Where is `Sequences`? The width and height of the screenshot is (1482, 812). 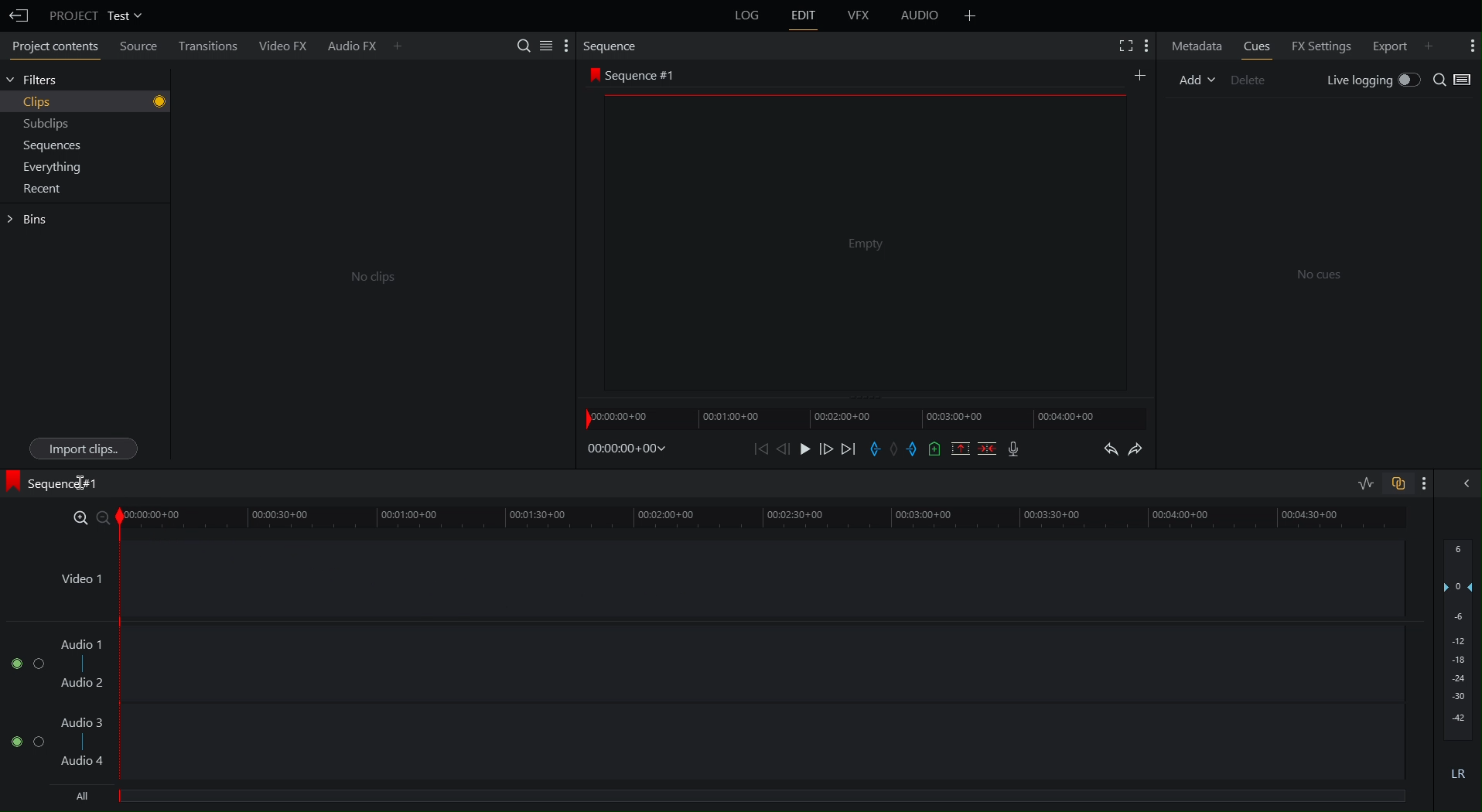 Sequences is located at coordinates (48, 145).